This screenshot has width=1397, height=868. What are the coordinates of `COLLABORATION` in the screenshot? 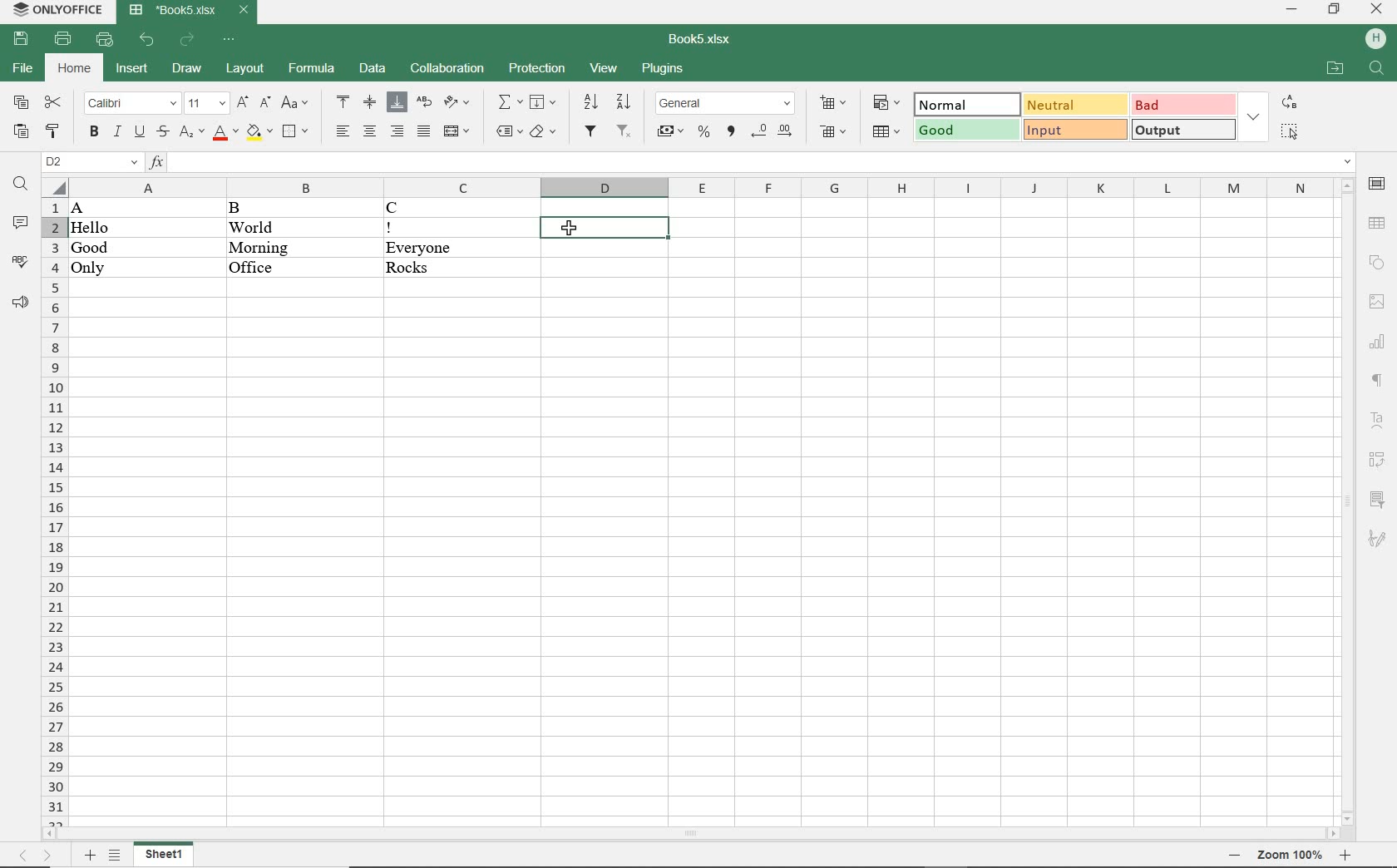 It's located at (446, 68).